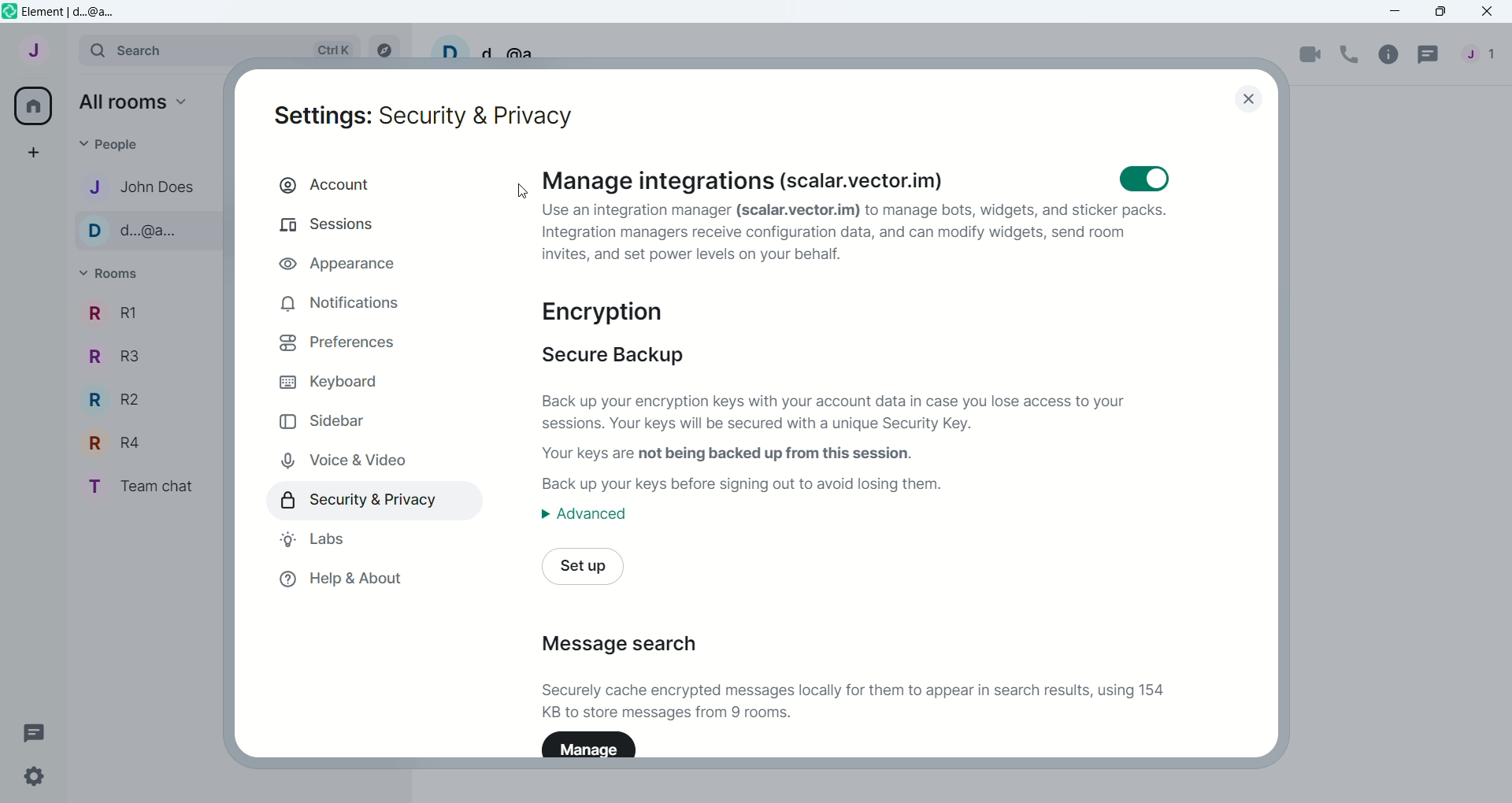 The width and height of the screenshot is (1512, 803). I want to click on logo, so click(9, 12).